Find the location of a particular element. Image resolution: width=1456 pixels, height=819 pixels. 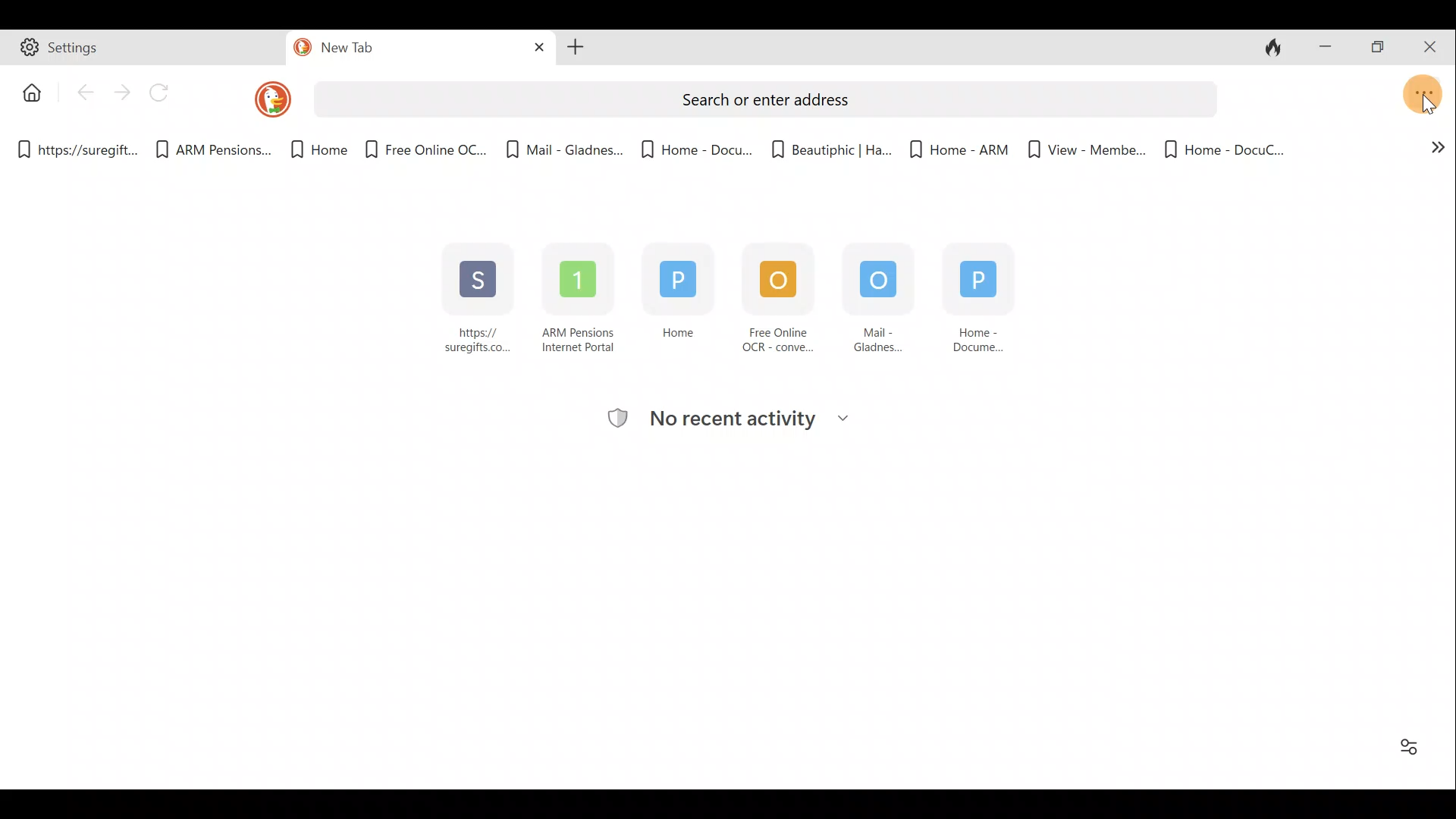

Home is located at coordinates (676, 293).